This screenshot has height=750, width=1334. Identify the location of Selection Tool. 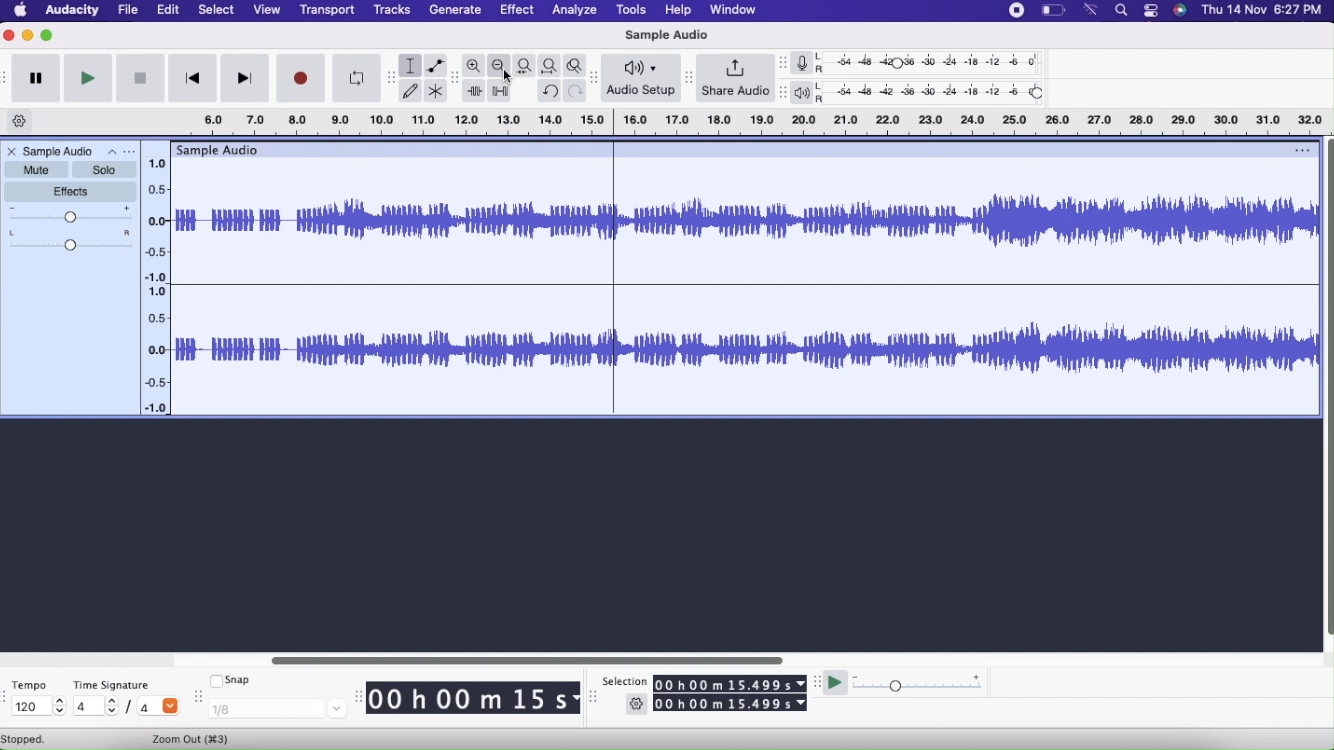
(410, 64).